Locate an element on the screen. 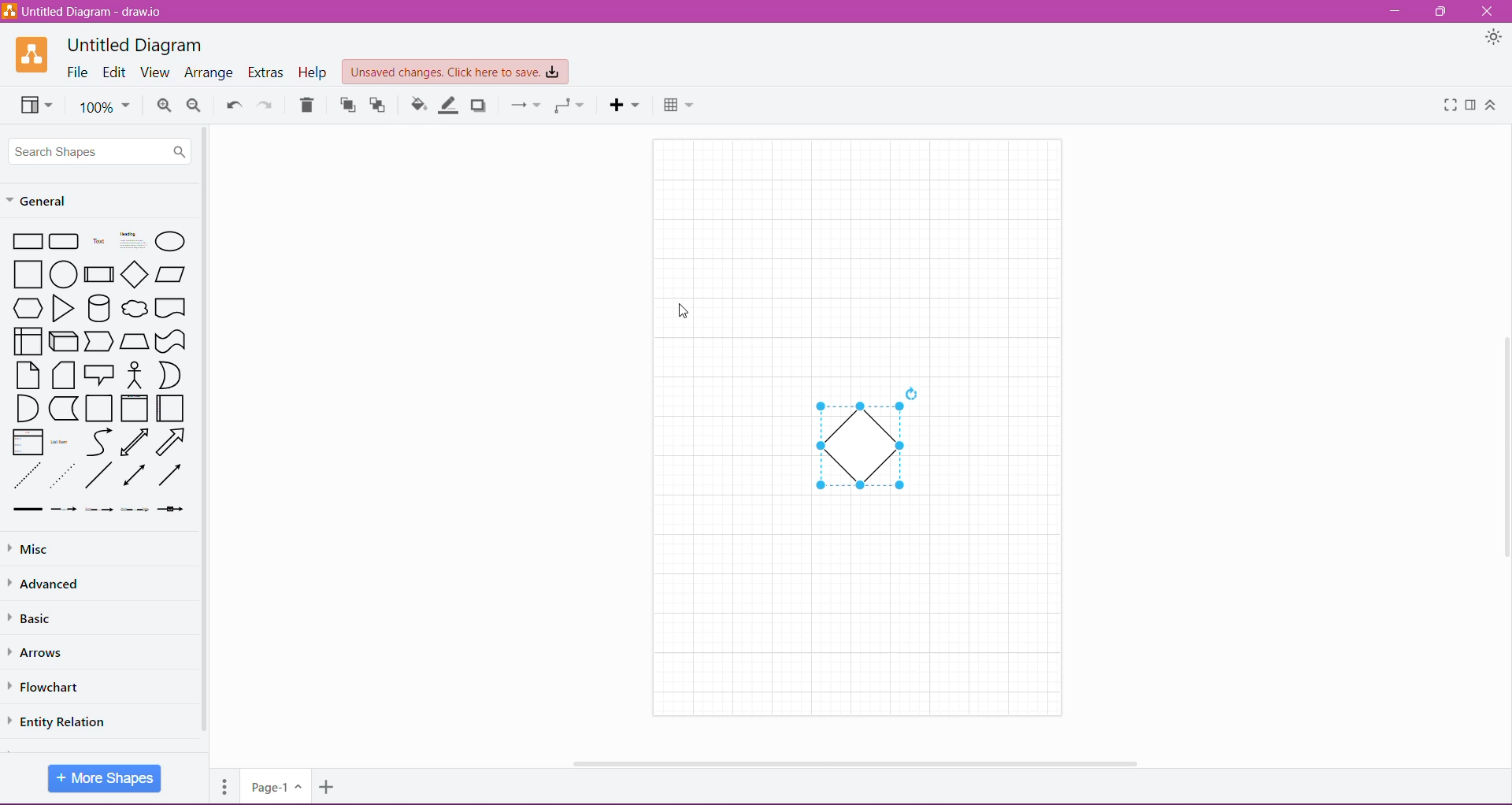 The image size is (1512, 805). General is located at coordinates (41, 201).